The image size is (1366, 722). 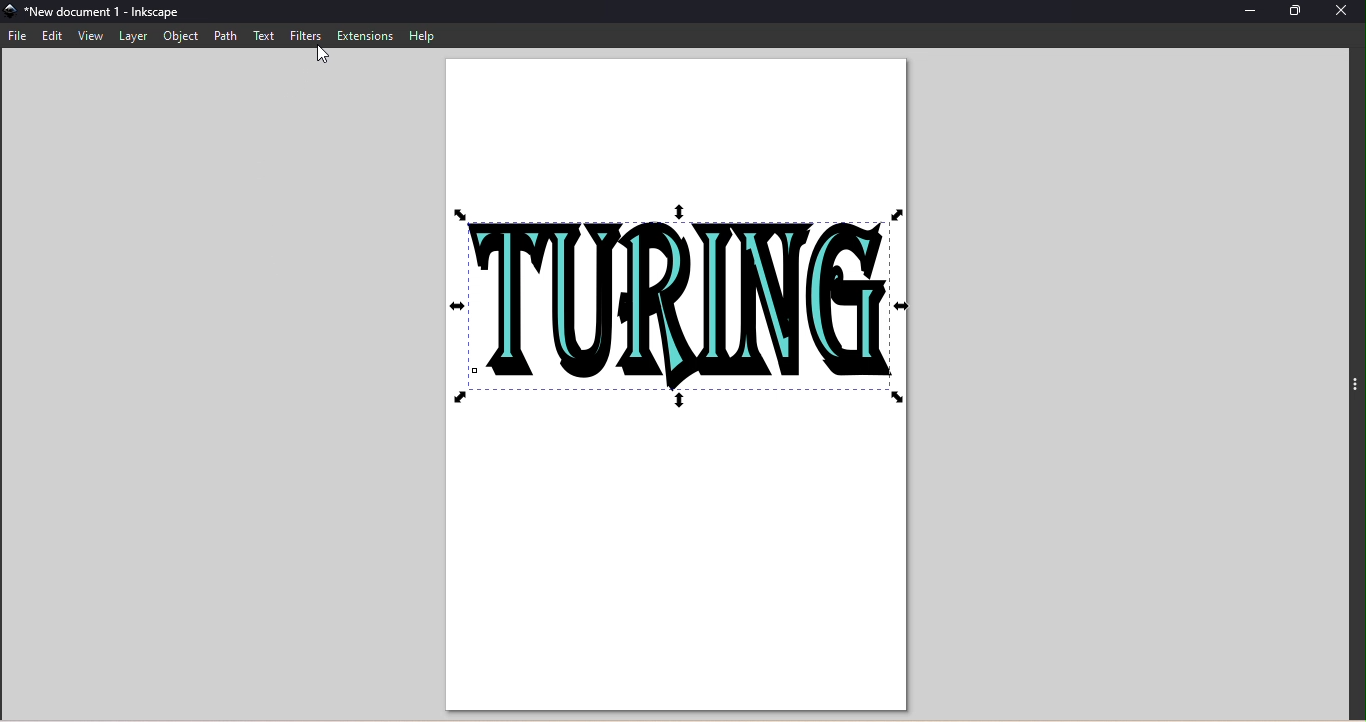 I want to click on Object, so click(x=176, y=37).